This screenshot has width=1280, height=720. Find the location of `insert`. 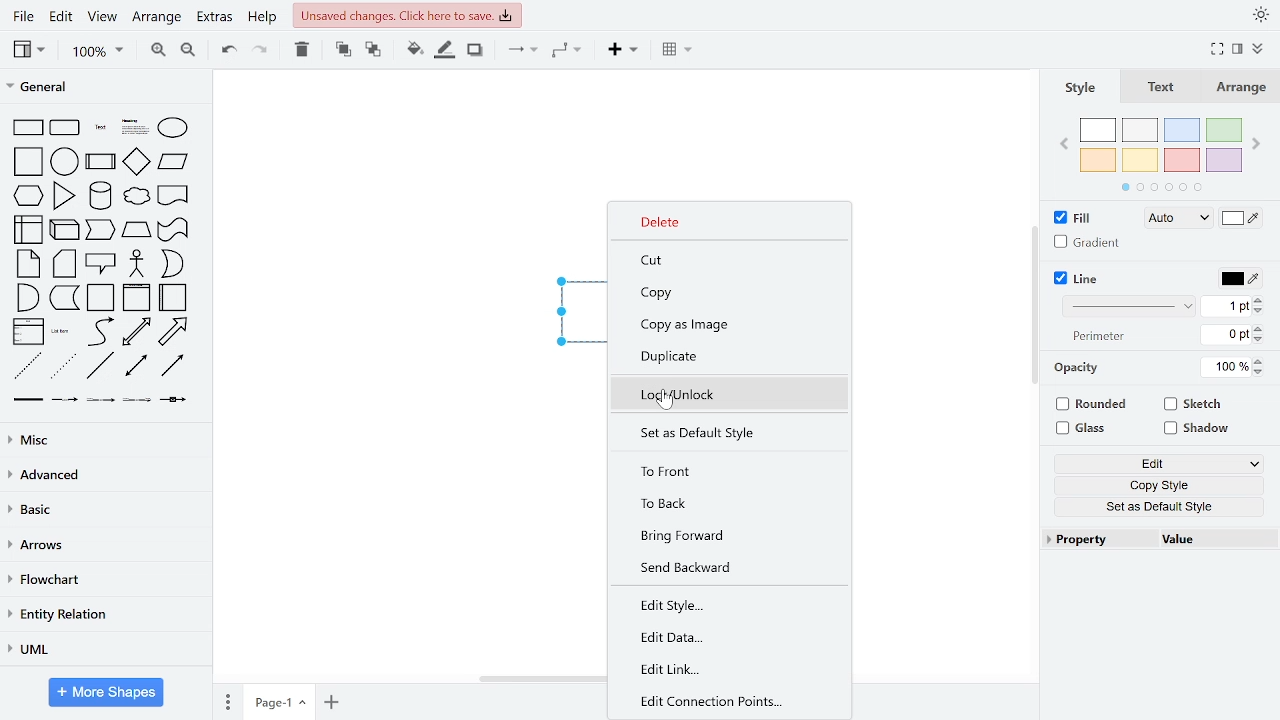

insert is located at coordinates (624, 50).